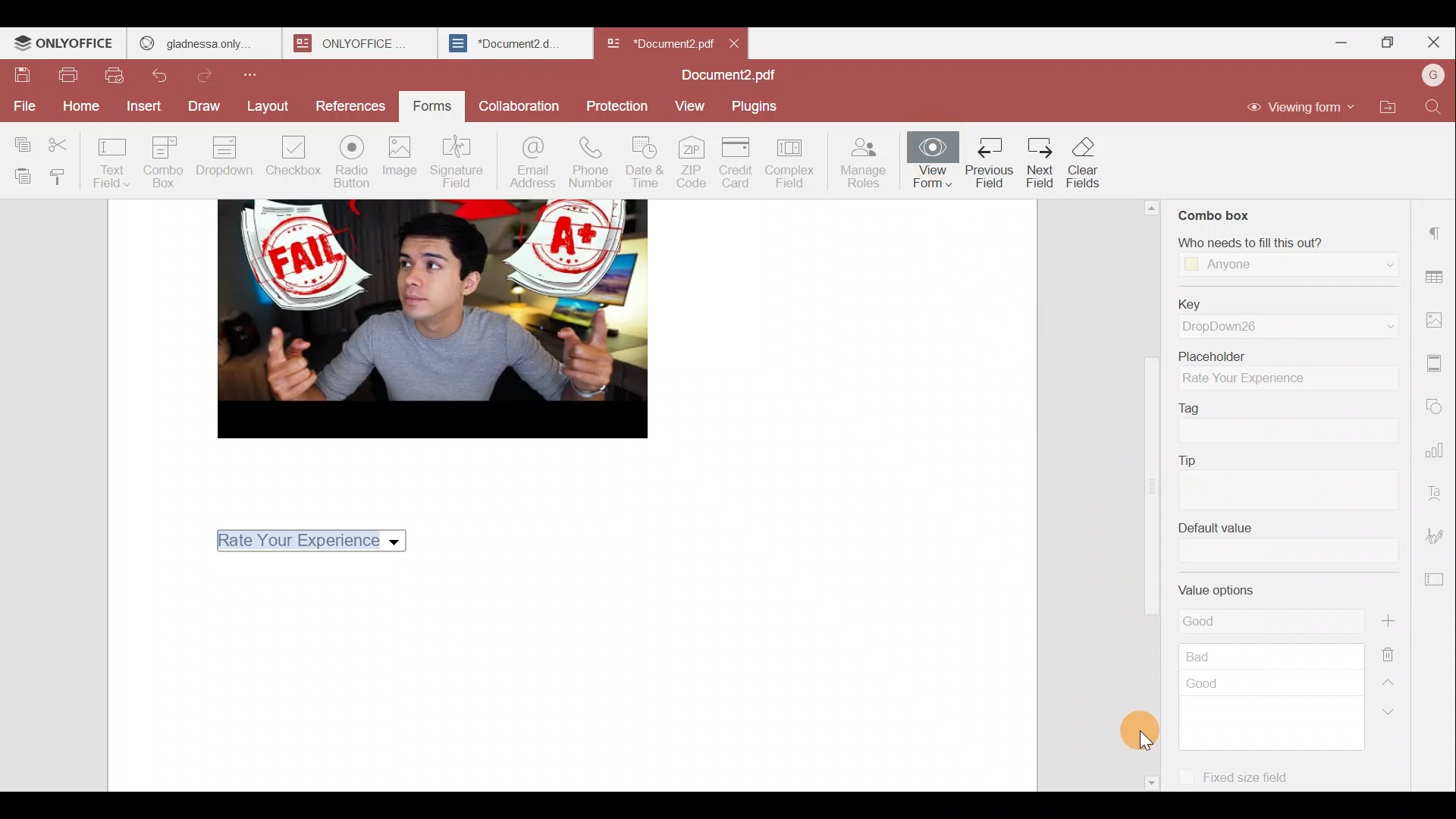  What do you see at coordinates (1433, 110) in the screenshot?
I see `Find` at bounding box center [1433, 110].